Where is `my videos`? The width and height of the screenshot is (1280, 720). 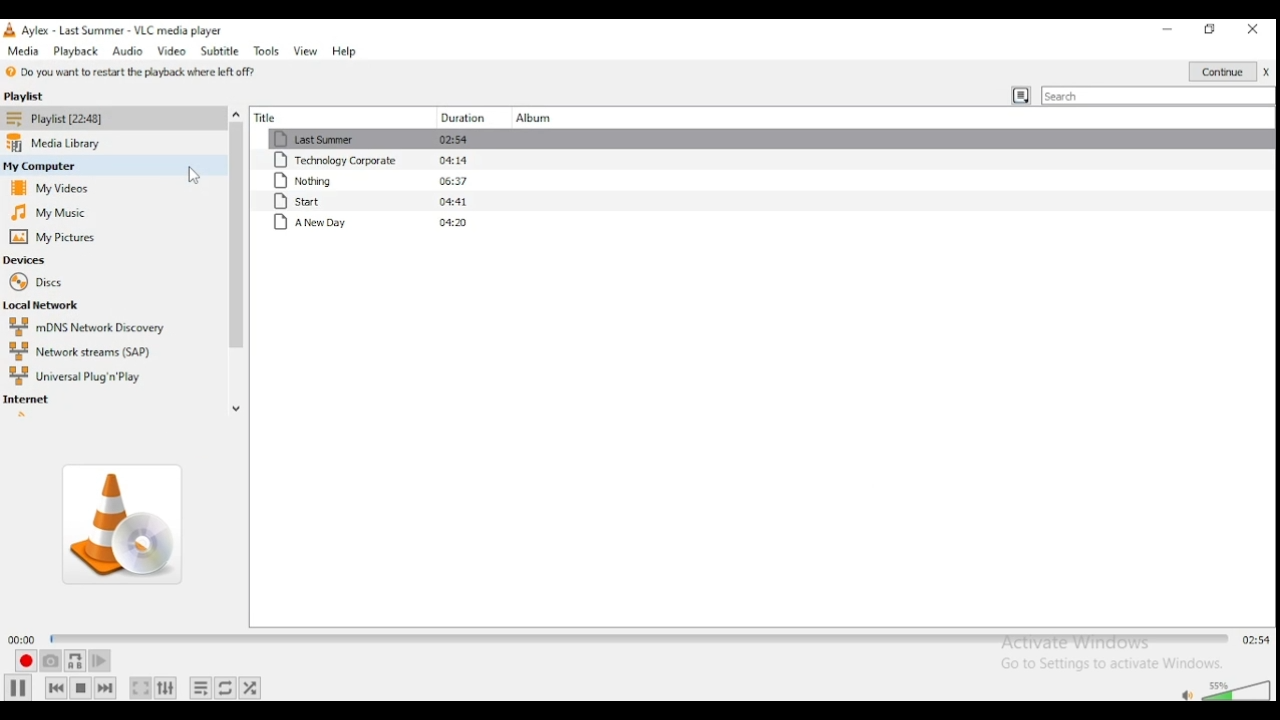 my videos is located at coordinates (50, 186).